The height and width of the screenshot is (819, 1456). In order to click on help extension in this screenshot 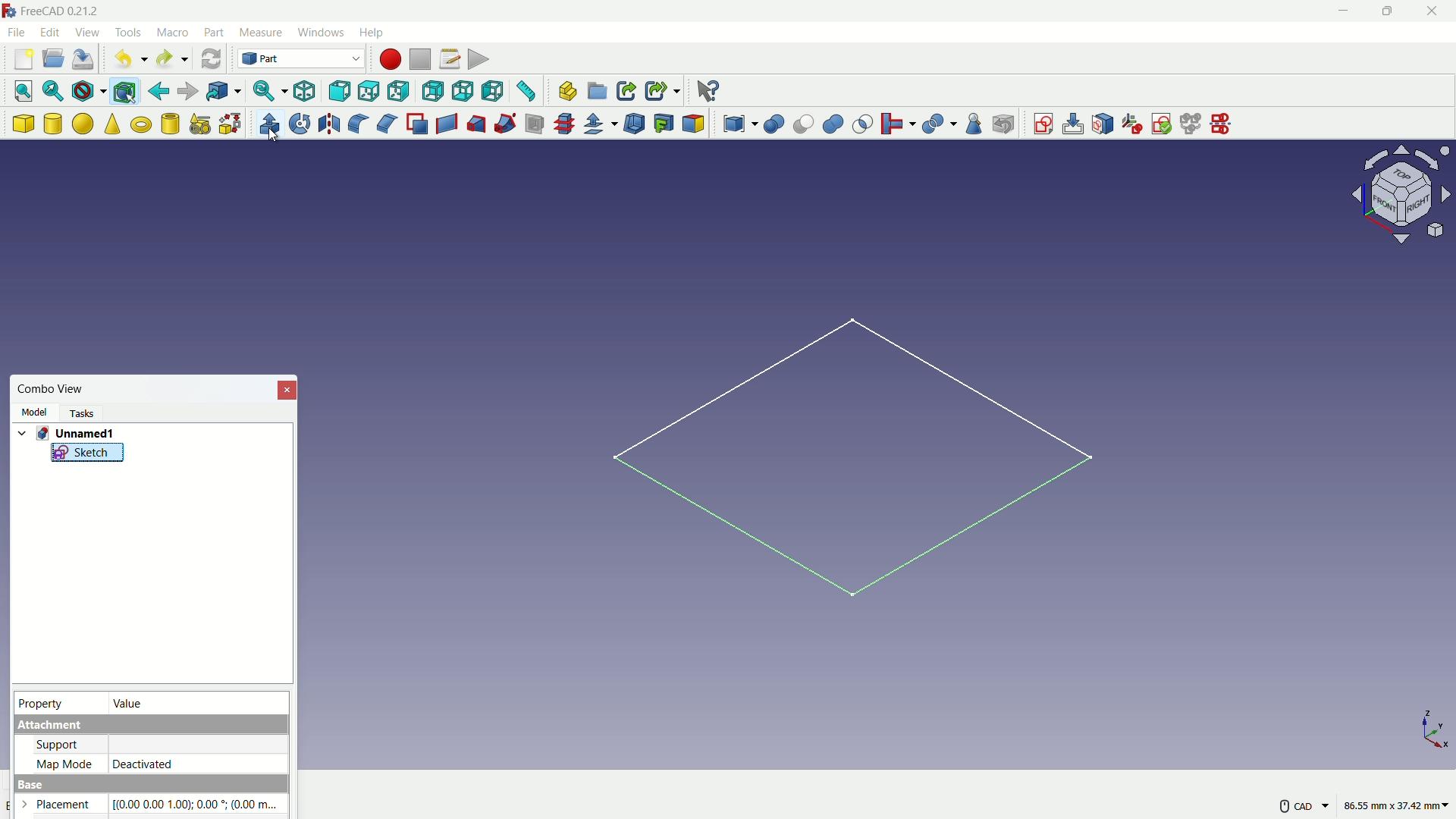, I will do `click(707, 90)`.